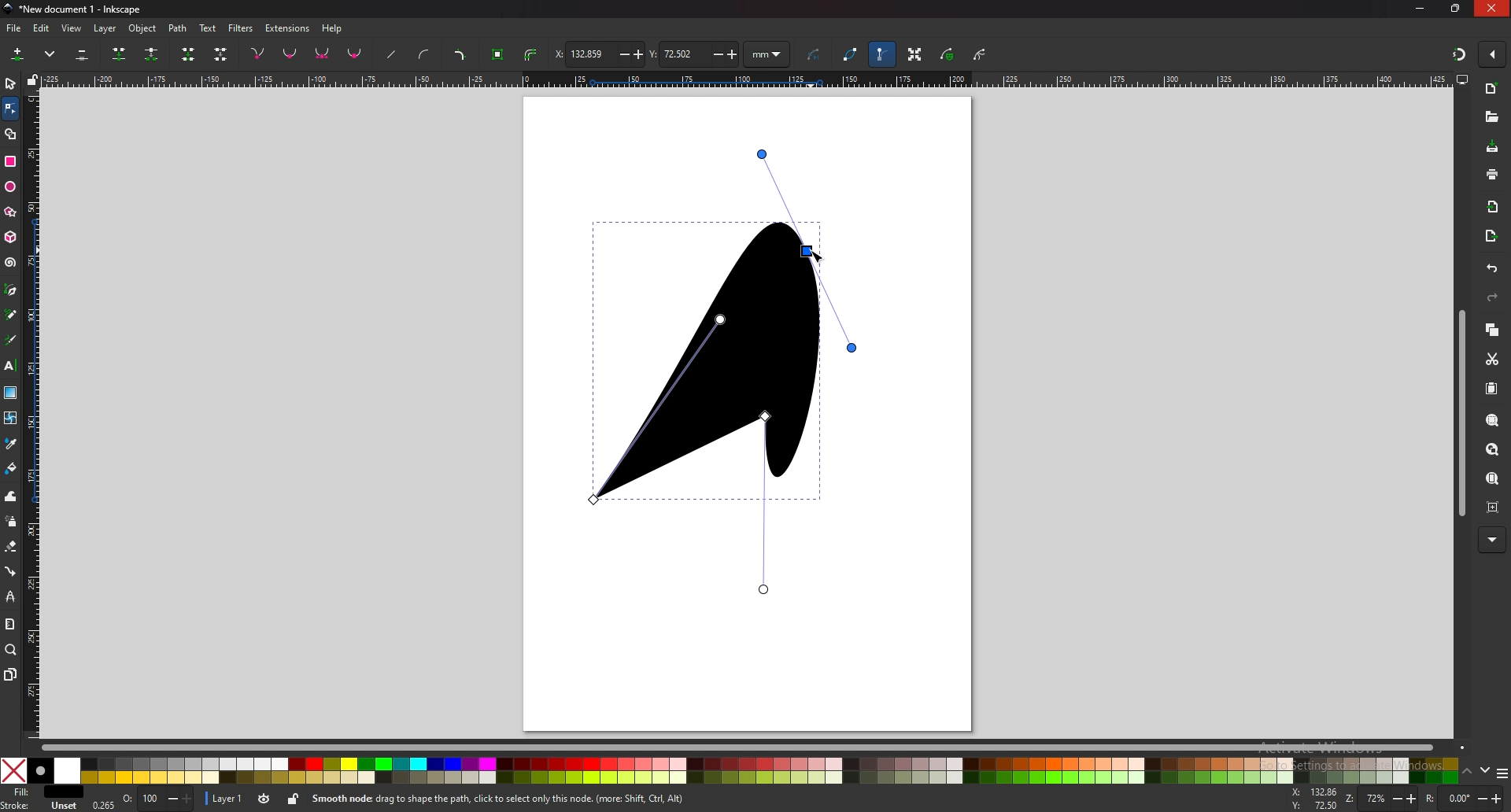 The height and width of the screenshot is (812, 1511). What do you see at coordinates (533, 54) in the screenshot?
I see `stroke to path` at bounding box center [533, 54].